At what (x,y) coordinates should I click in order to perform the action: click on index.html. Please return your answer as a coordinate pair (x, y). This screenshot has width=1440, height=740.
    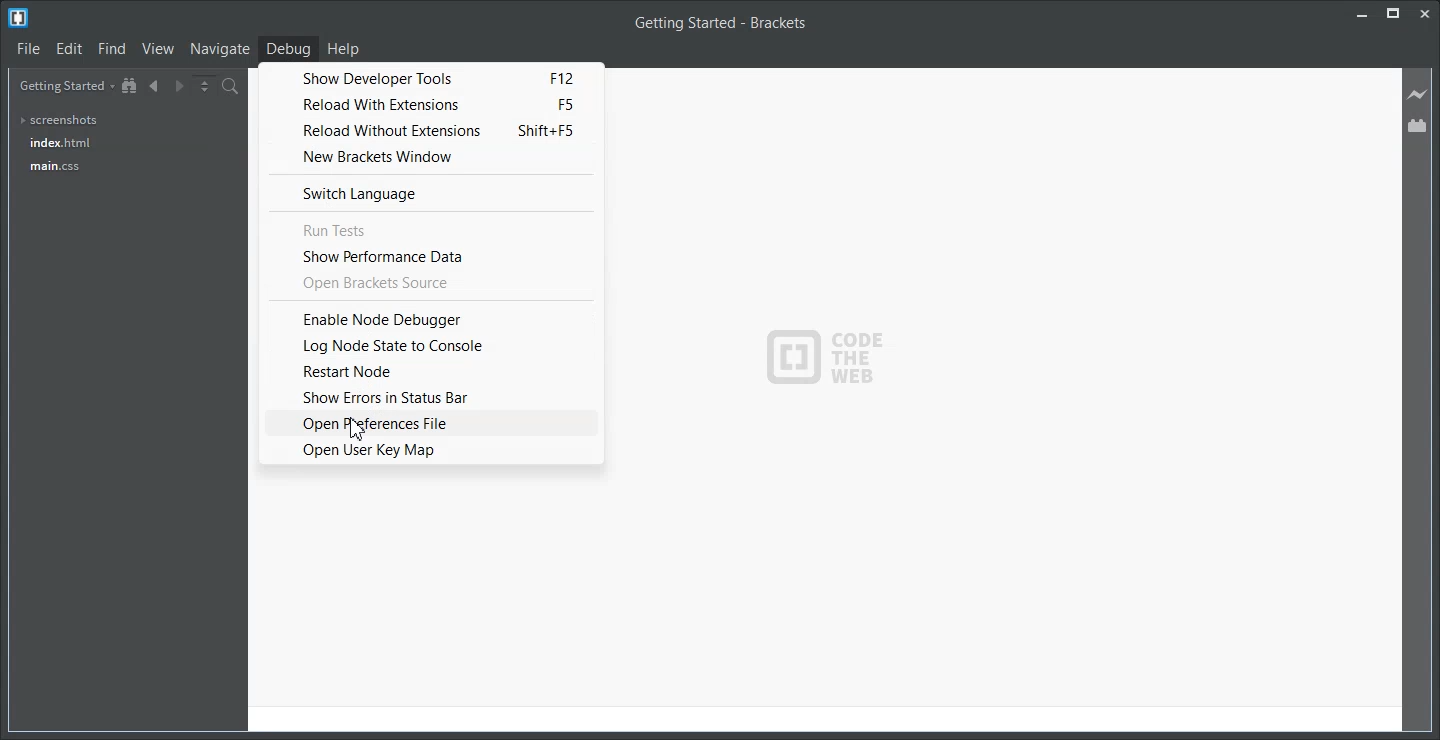
    Looking at the image, I should click on (59, 142).